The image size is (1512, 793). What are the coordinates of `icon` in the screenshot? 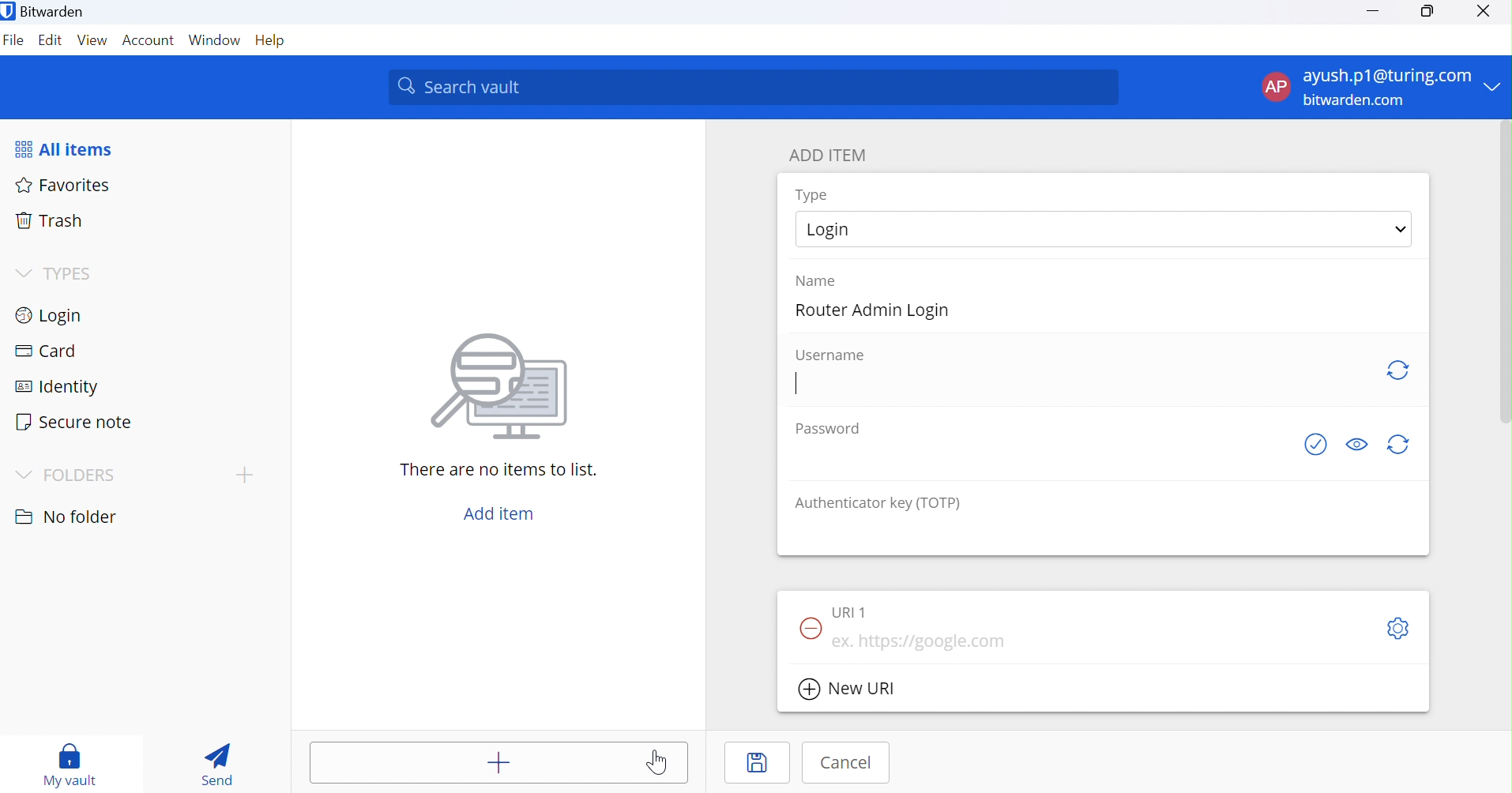 It's located at (499, 384).